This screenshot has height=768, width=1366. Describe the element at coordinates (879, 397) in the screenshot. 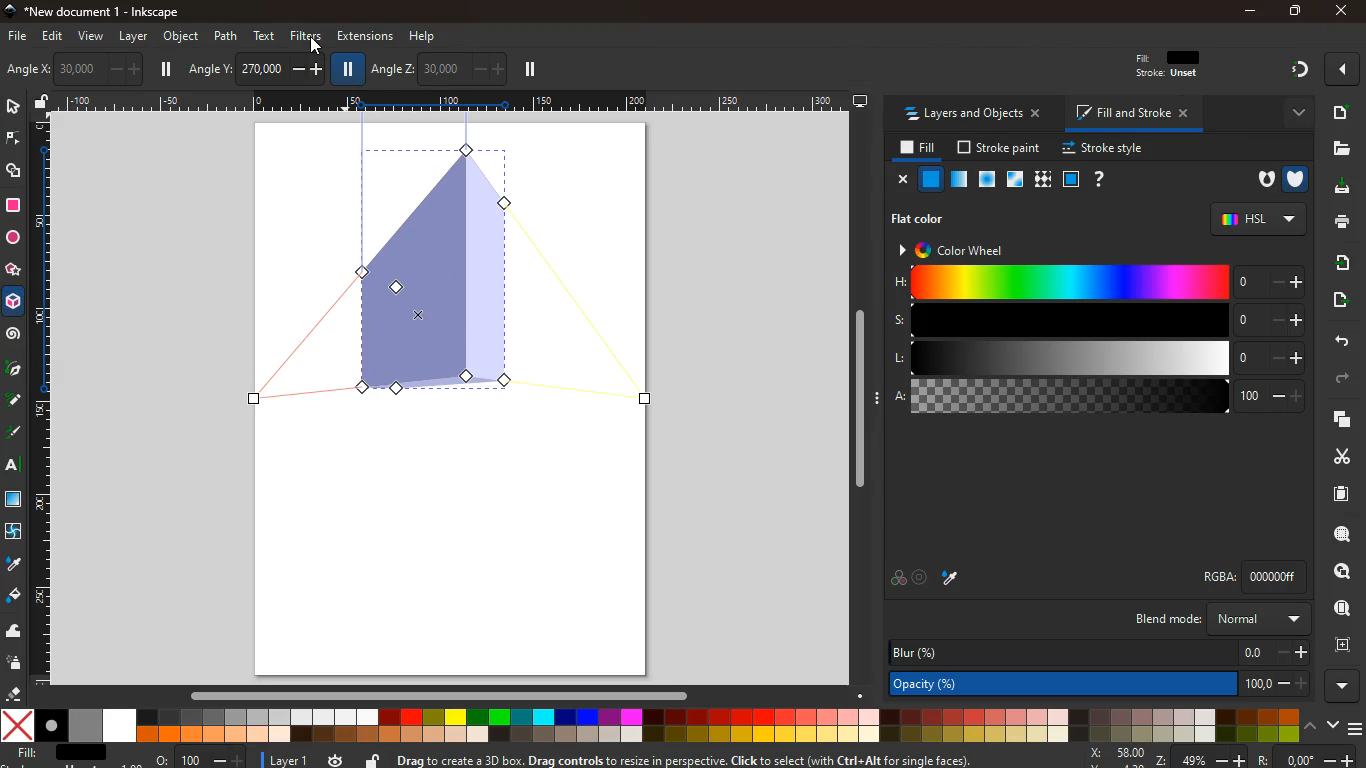

I see `Expand` at that location.